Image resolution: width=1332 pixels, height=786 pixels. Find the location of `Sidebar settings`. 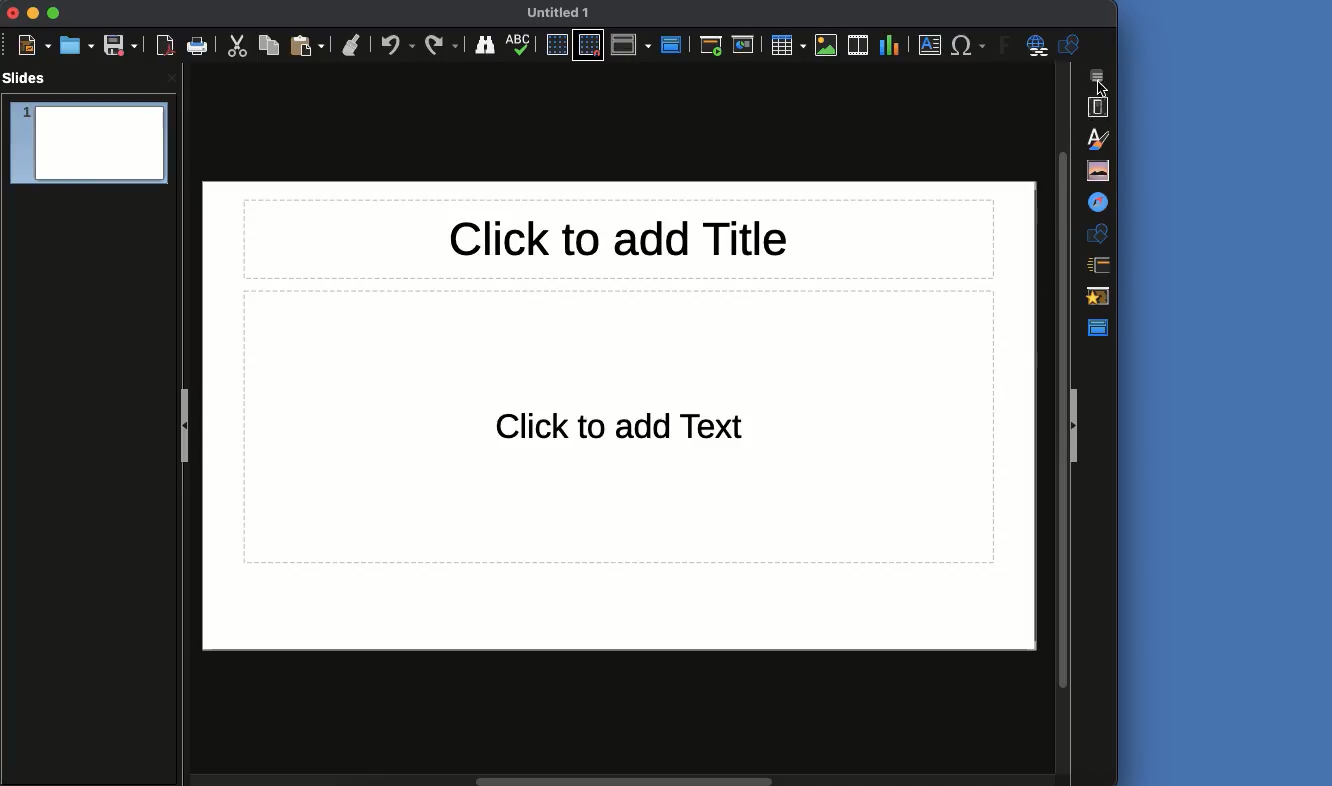

Sidebar settings is located at coordinates (1104, 75).